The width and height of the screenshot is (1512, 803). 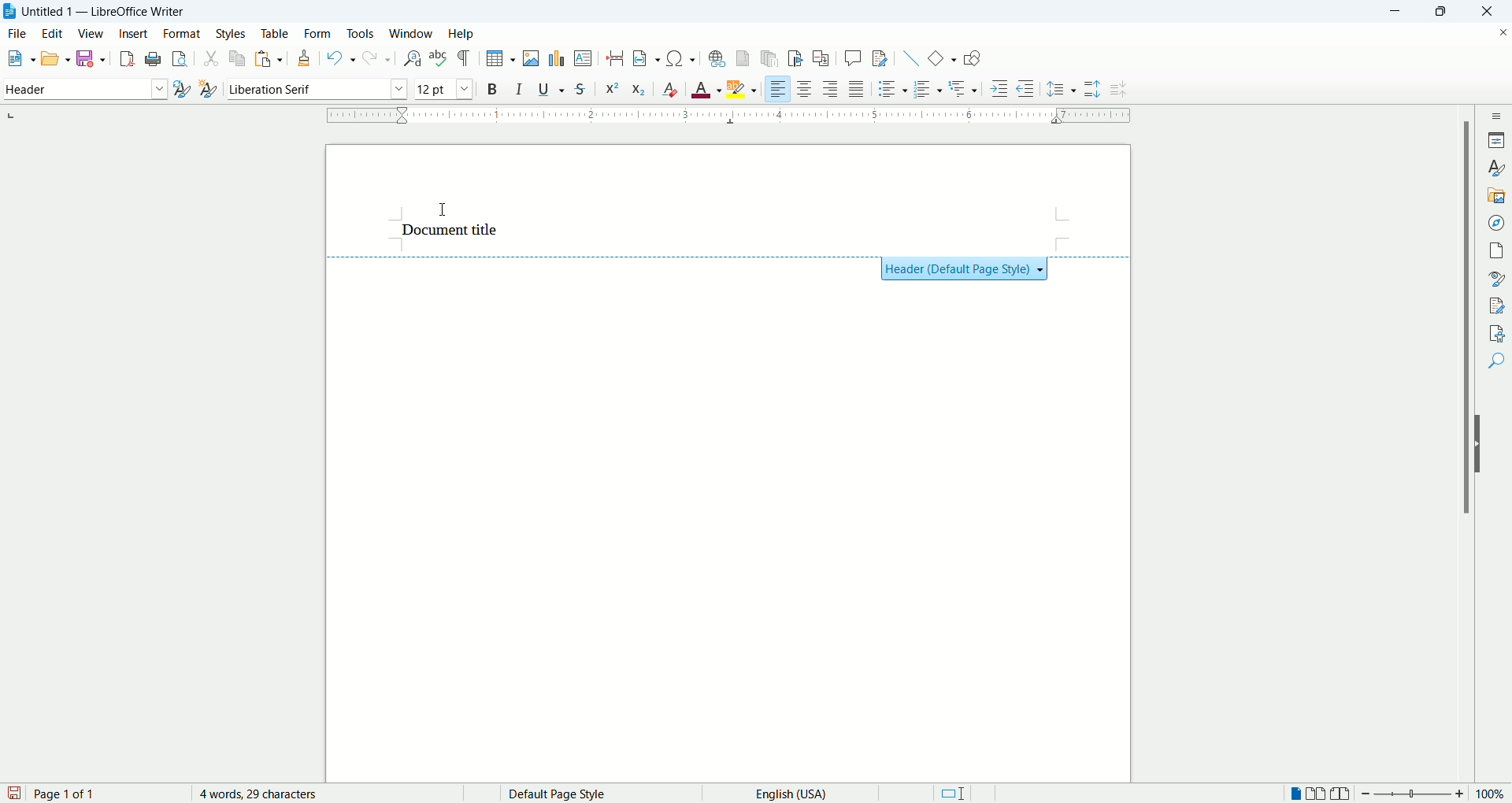 What do you see at coordinates (1499, 166) in the screenshot?
I see `styles` at bounding box center [1499, 166].